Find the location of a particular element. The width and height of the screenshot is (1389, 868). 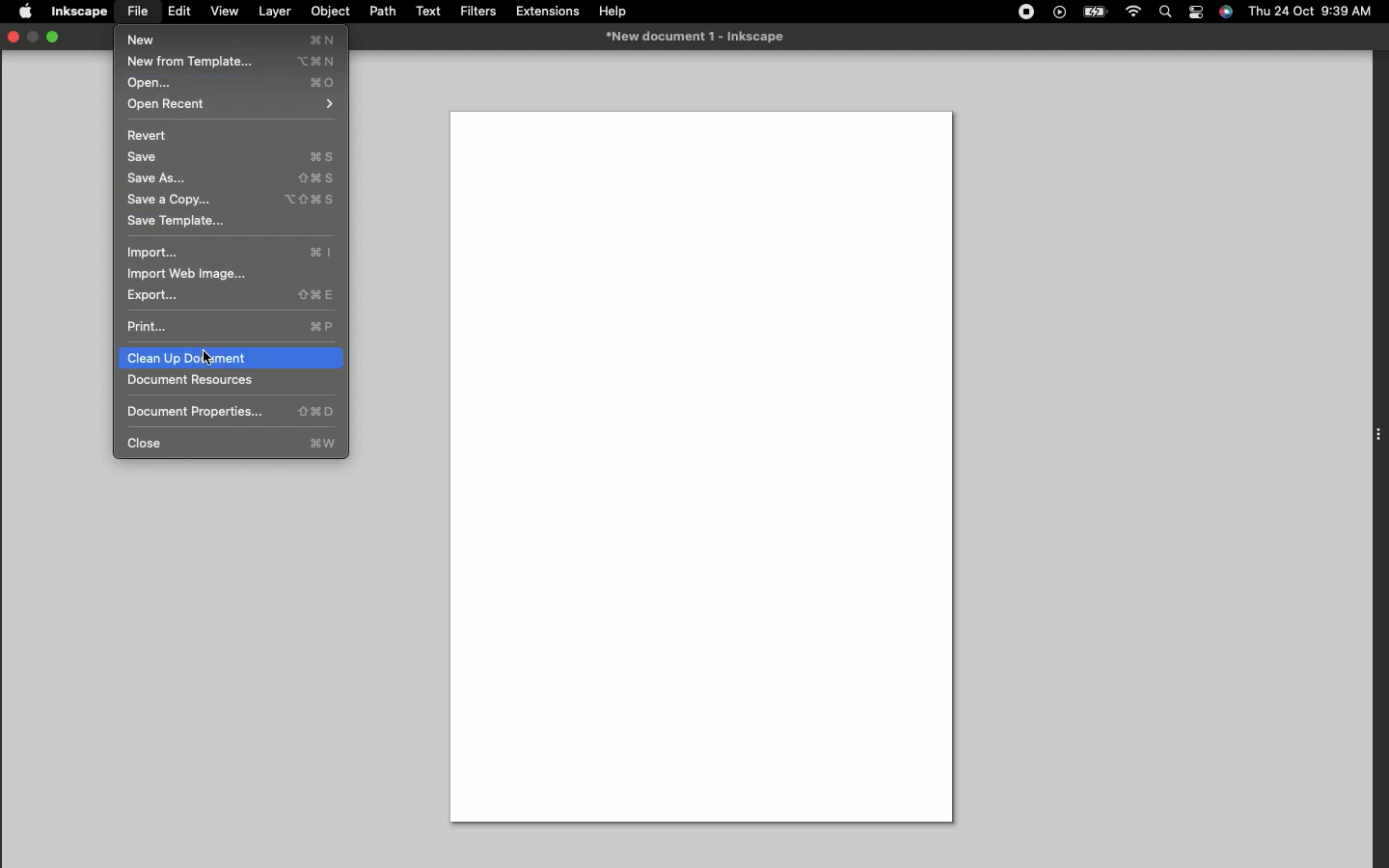

Voice control is located at coordinates (1227, 11).